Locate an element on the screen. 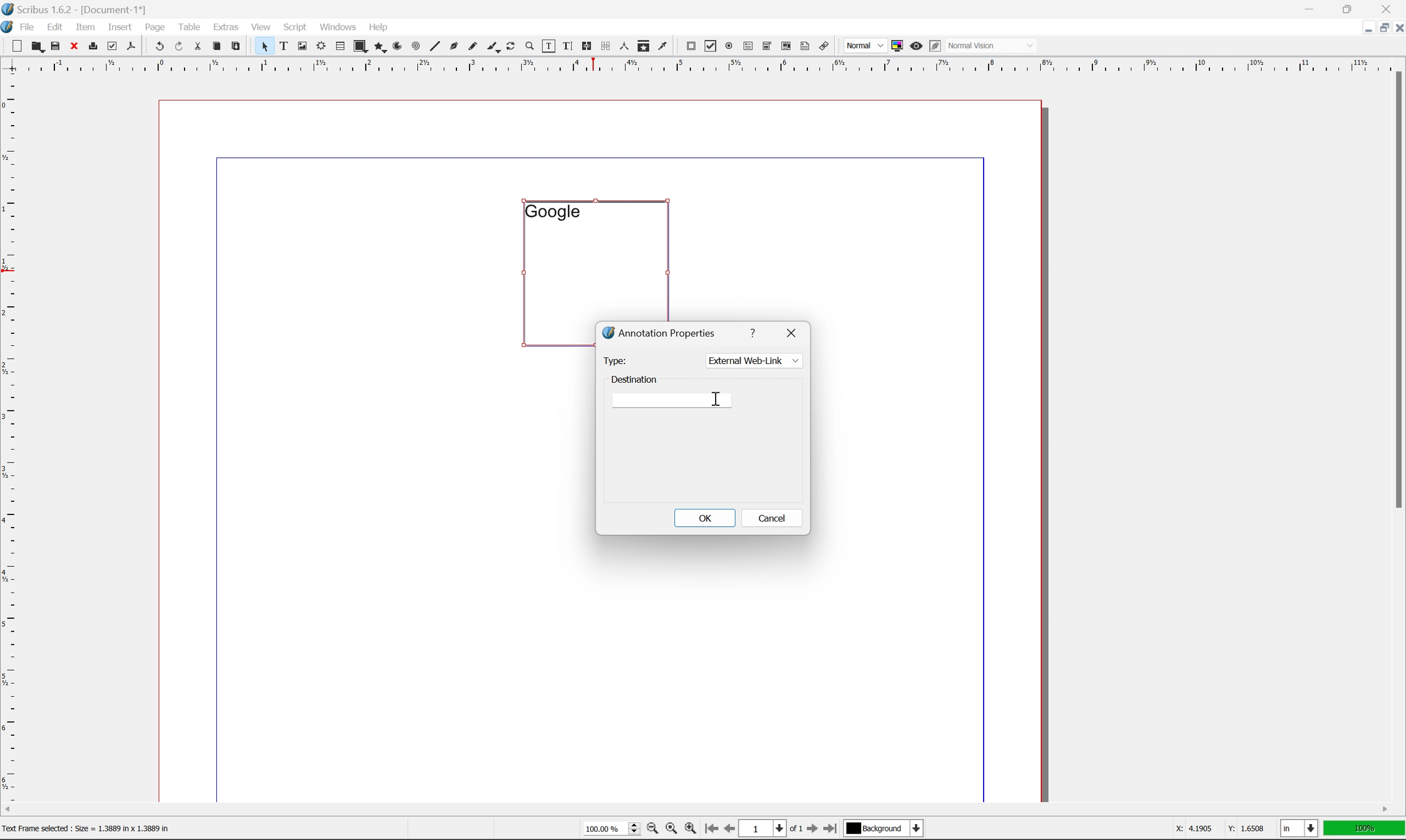 This screenshot has width=1406, height=840. help is located at coordinates (378, 27).